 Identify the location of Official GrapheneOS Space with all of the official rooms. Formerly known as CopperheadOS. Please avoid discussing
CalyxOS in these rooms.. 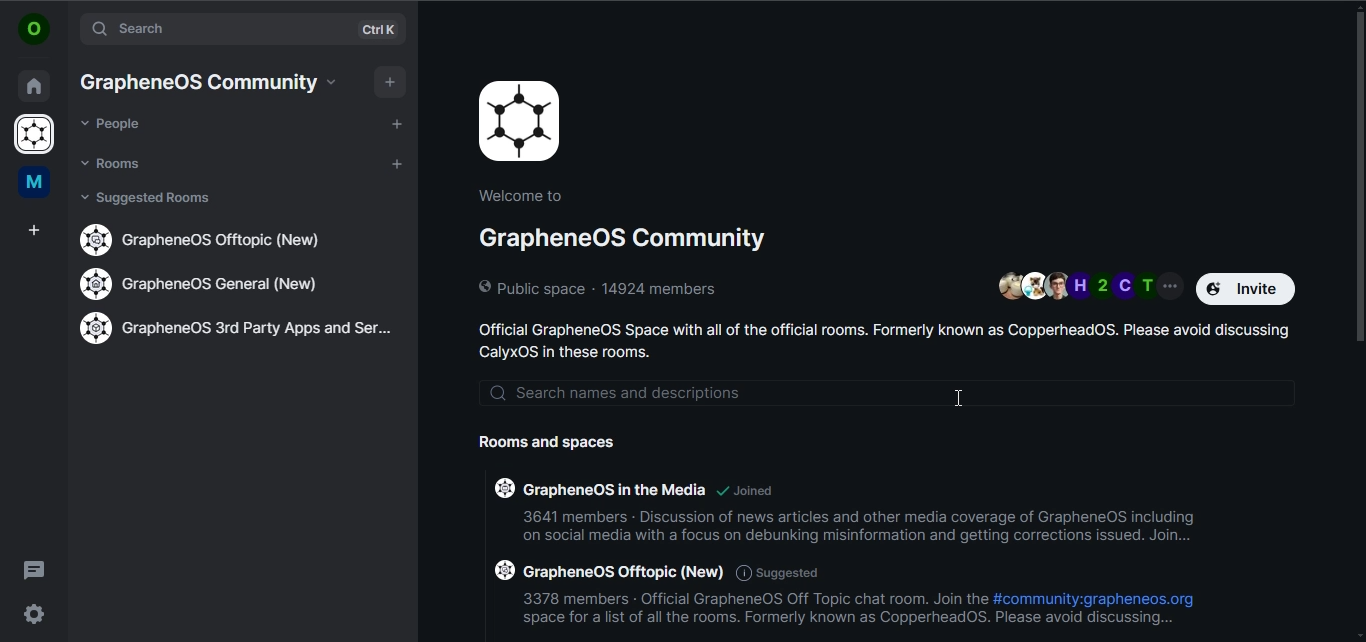
(888, 341).